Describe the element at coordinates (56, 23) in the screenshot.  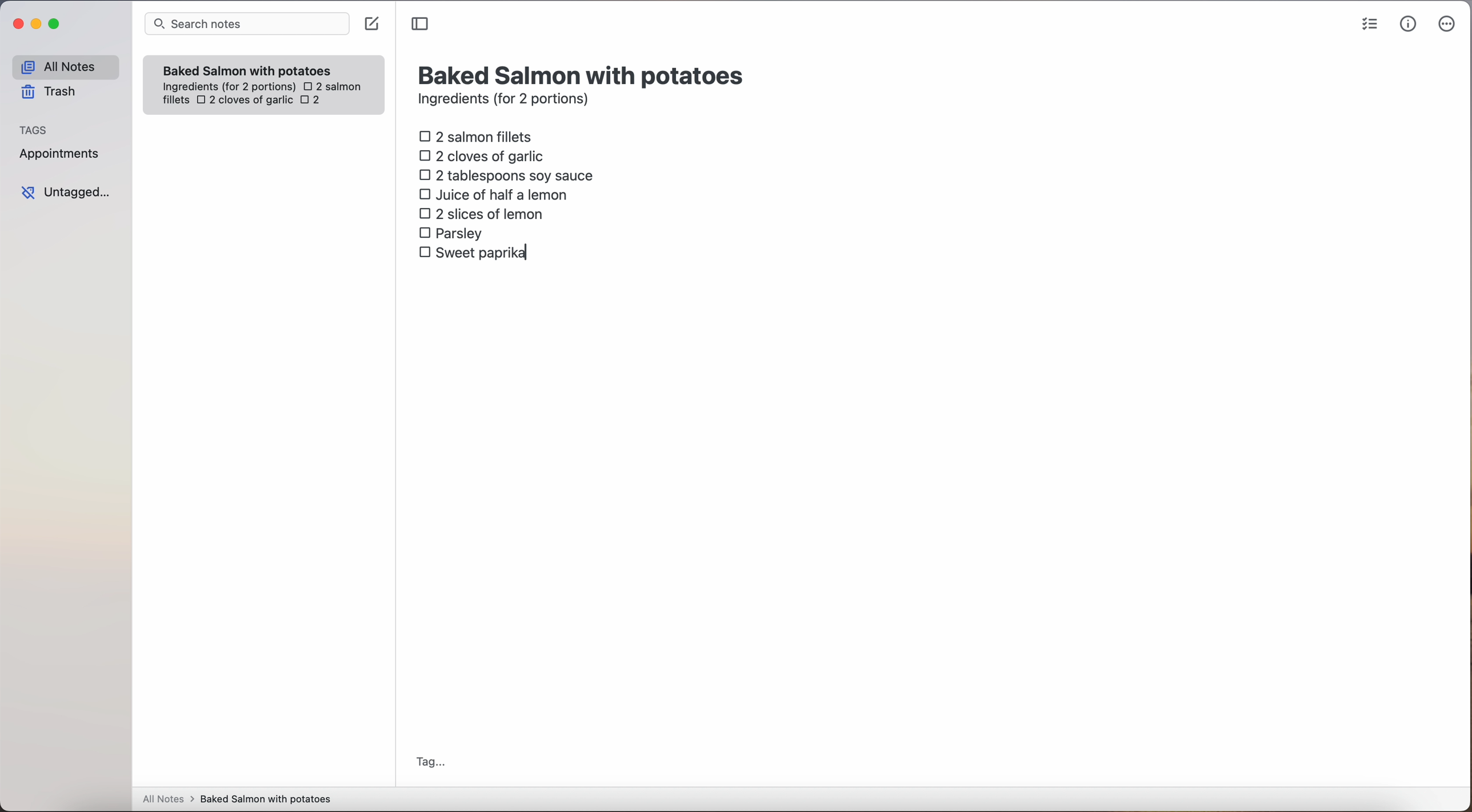
I see `maximize` at that location.